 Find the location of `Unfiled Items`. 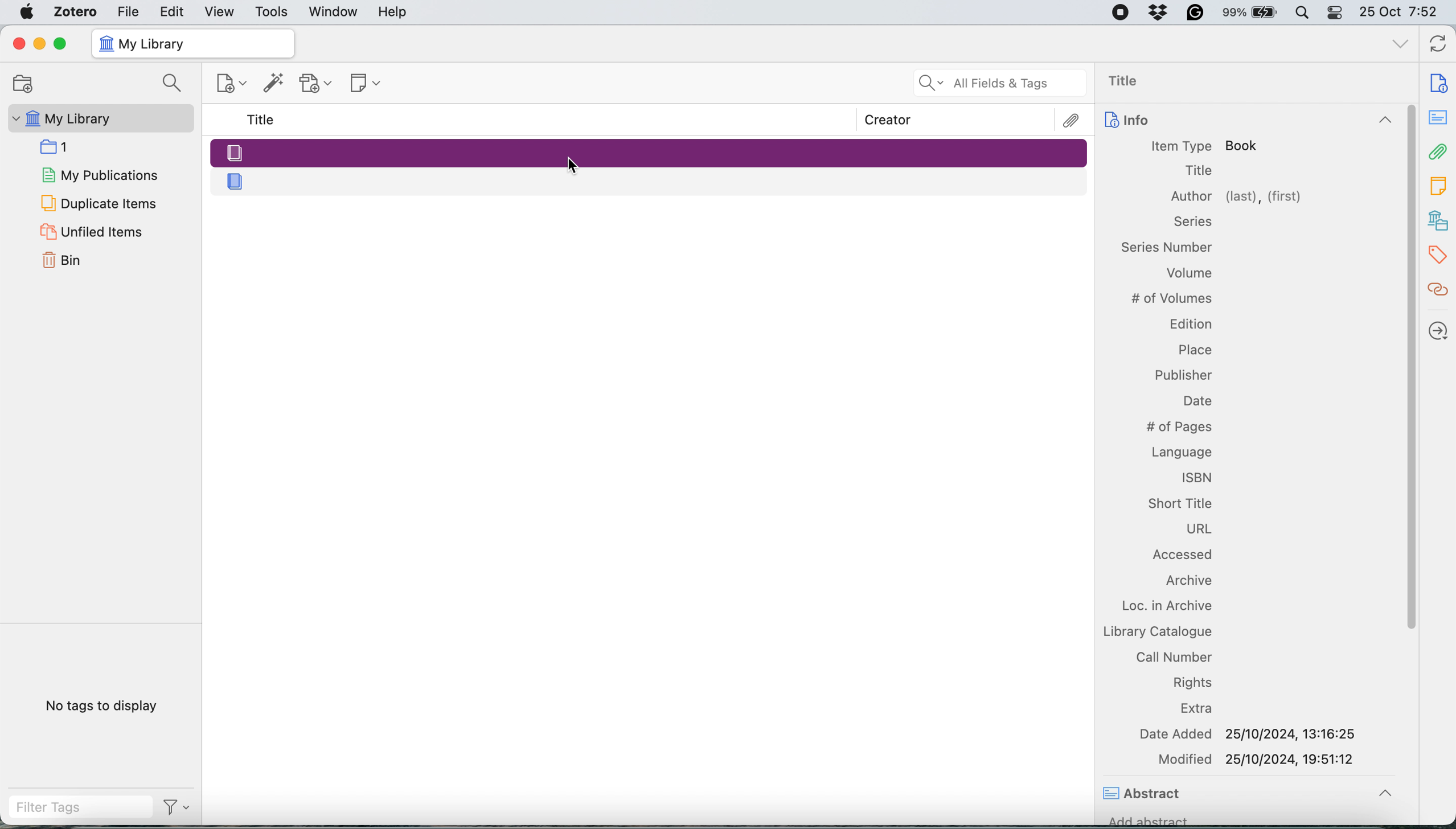

Unfiled Items is located at coordinates (94, 231).